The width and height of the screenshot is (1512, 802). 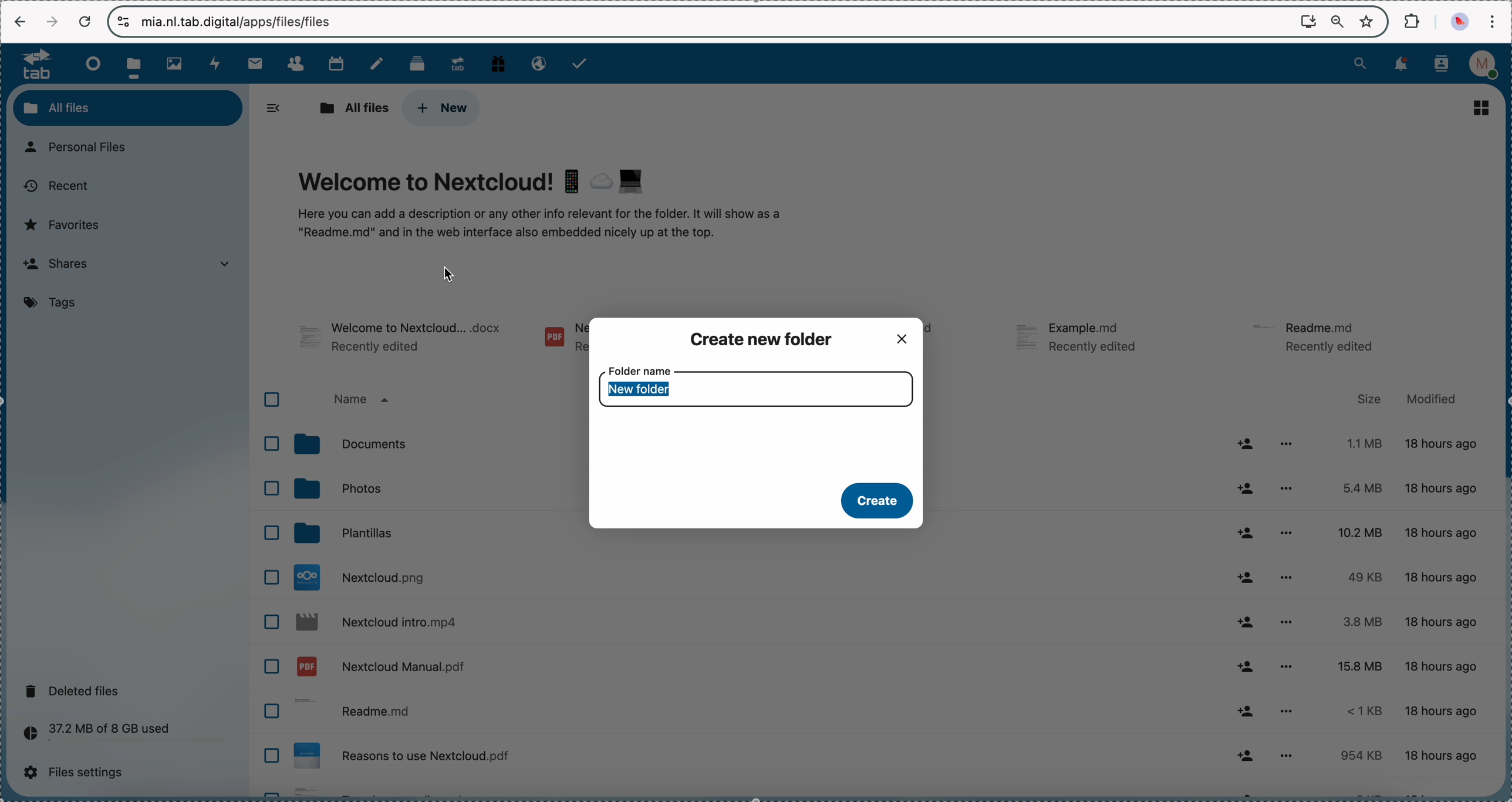 What do you see at coordinates (498, 62) in the screenshot?
I see `free` at bounding box center [498, 62].